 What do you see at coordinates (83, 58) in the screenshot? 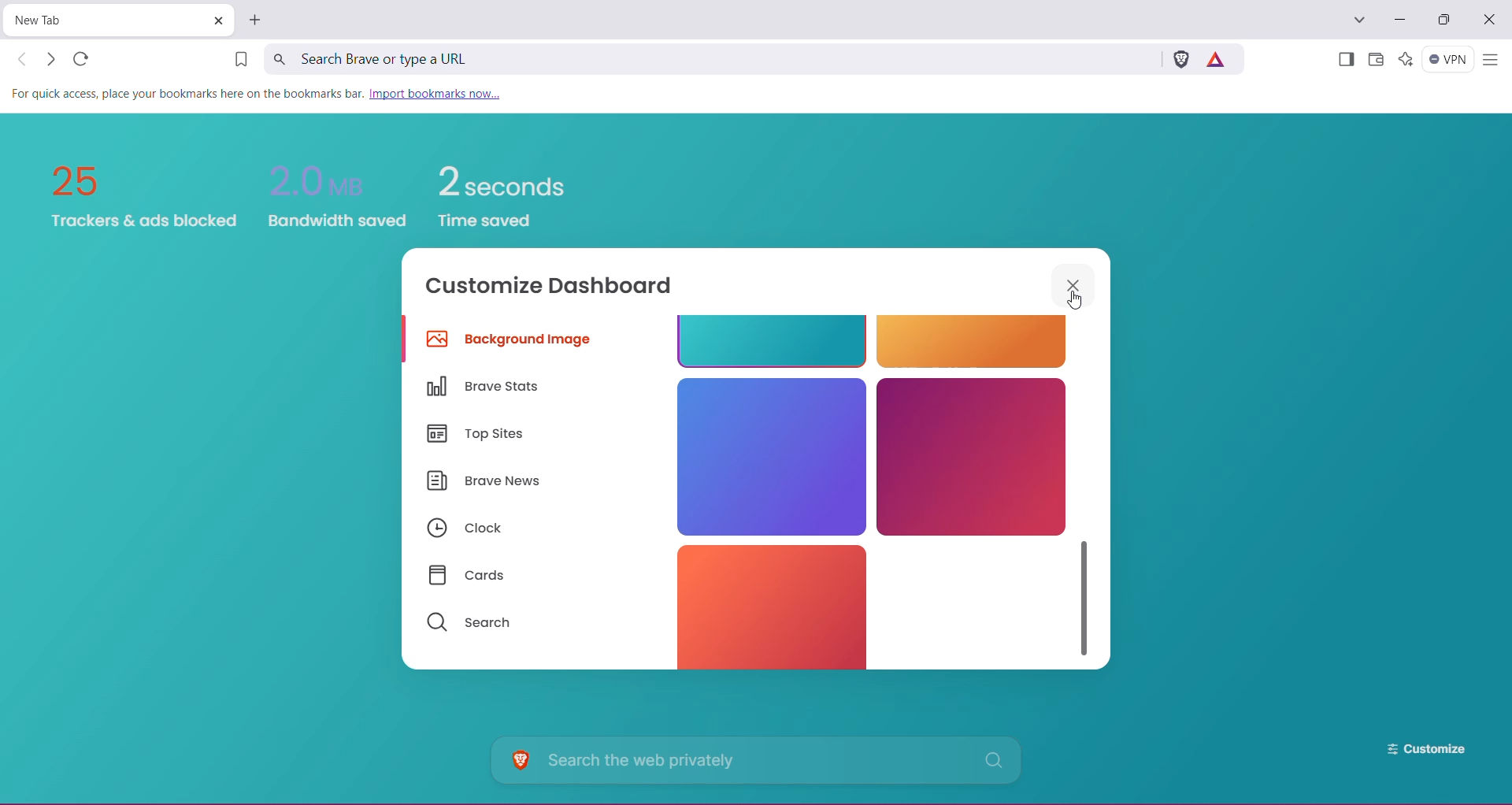
I see `Reload this page` at bounding box center [83, 58].